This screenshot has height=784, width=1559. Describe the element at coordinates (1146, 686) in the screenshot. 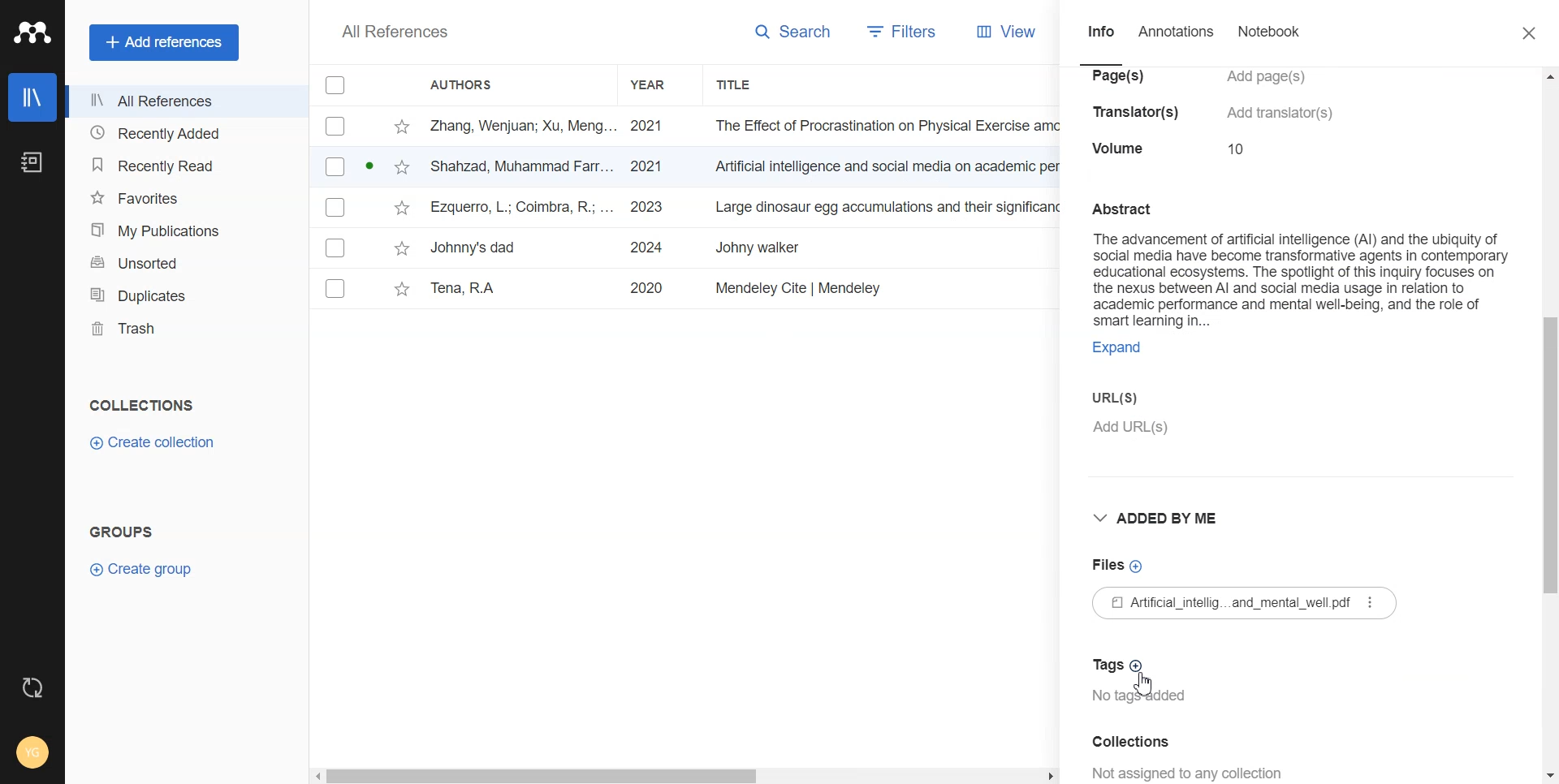

I see `Cursor` at that location.